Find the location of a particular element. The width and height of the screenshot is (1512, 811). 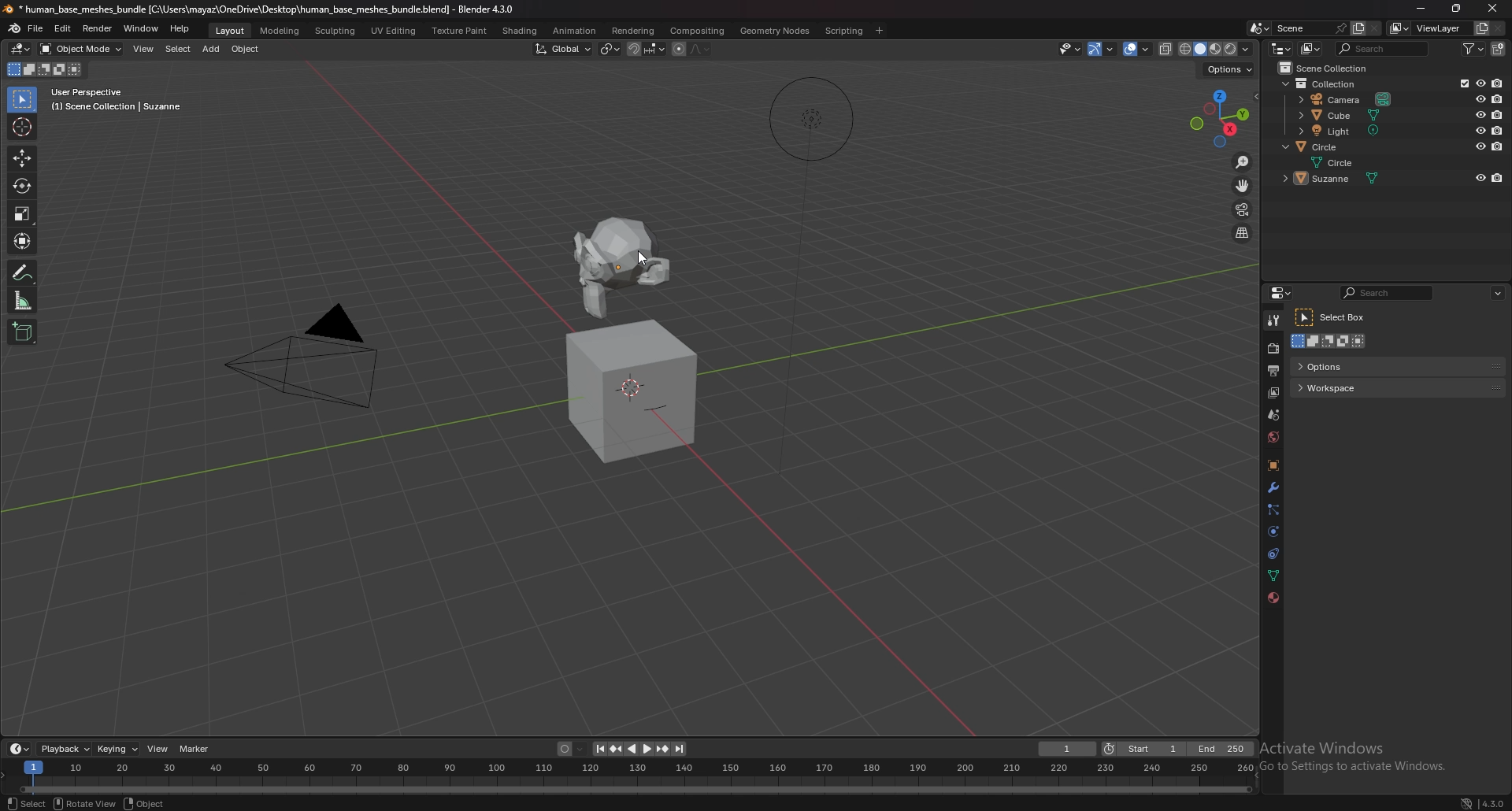

marker is located at coordinates (195, 749).